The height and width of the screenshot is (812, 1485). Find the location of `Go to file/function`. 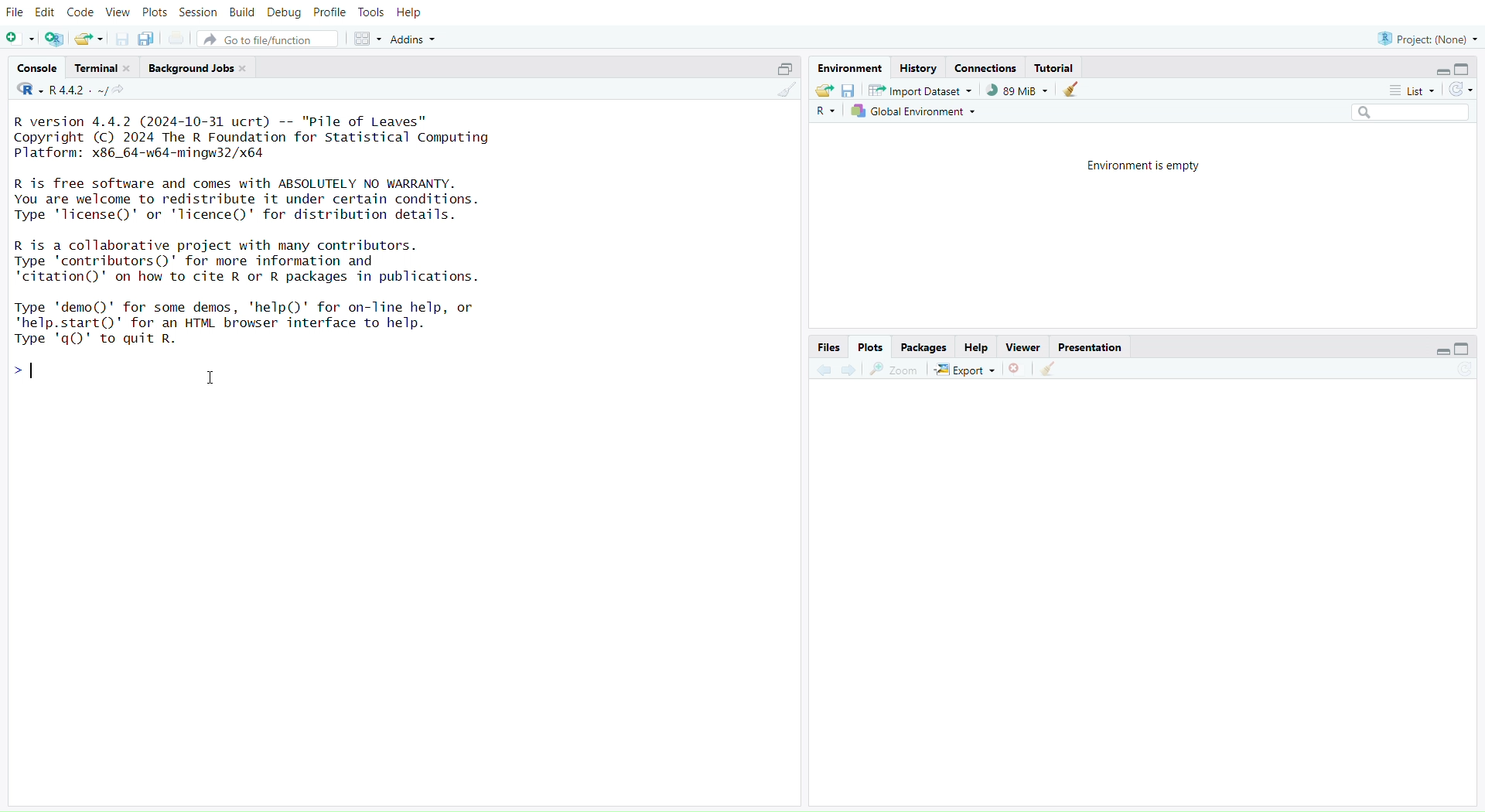

Go to file/function is located at coordinates (268, 39).